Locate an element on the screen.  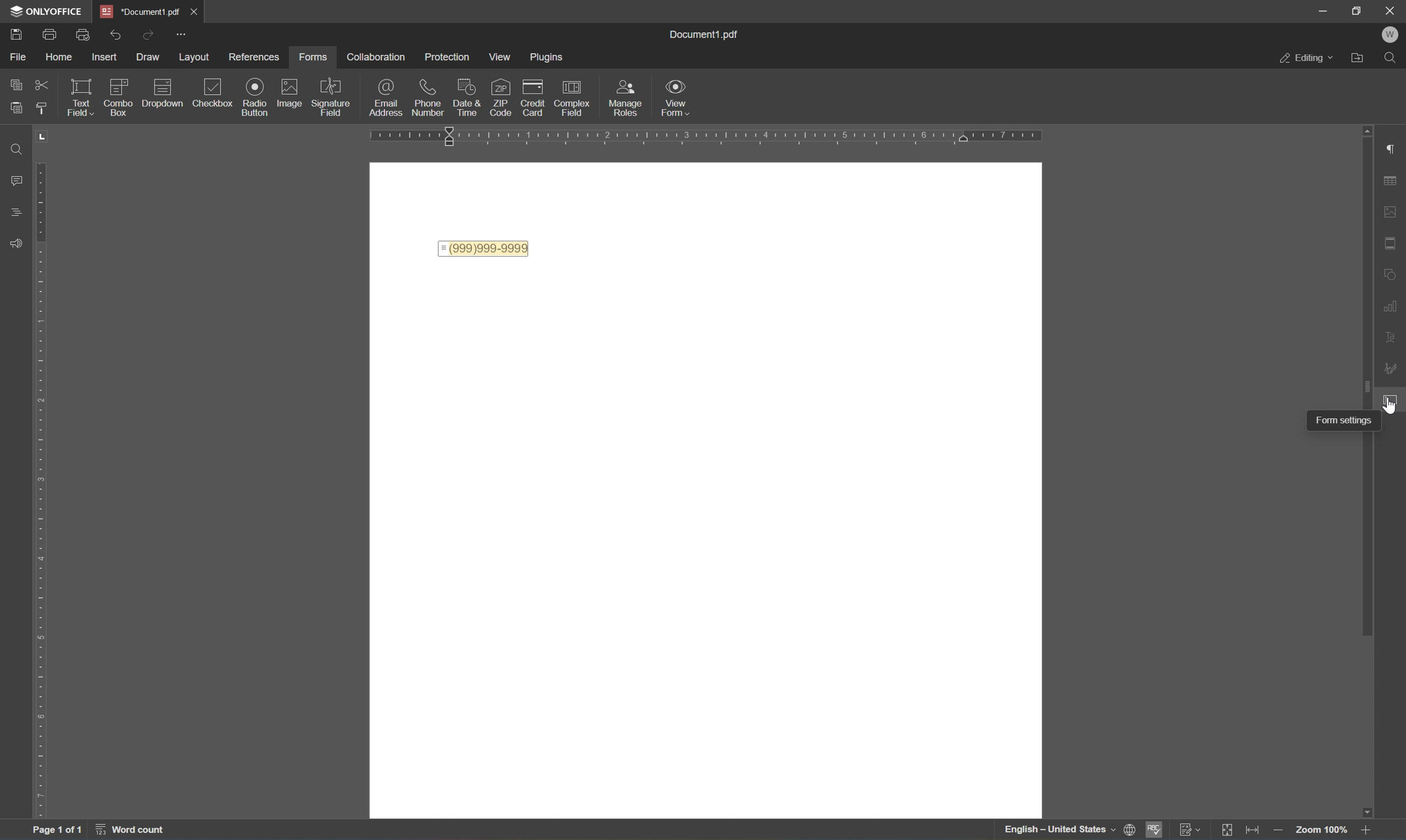
file is located at coordinates (20, 58).